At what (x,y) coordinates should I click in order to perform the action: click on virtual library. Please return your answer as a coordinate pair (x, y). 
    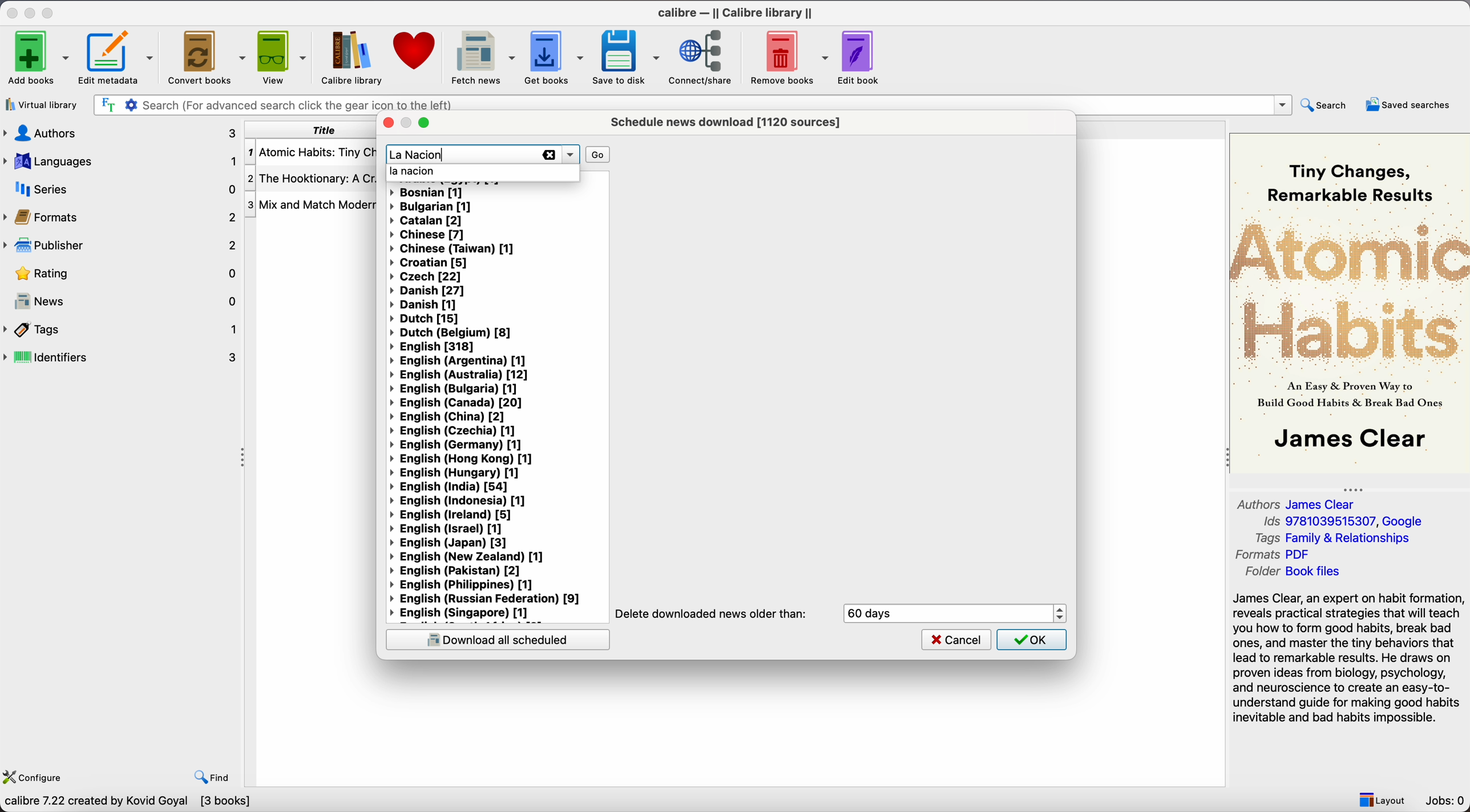
    Looking at the image, I should click on (41, 104).